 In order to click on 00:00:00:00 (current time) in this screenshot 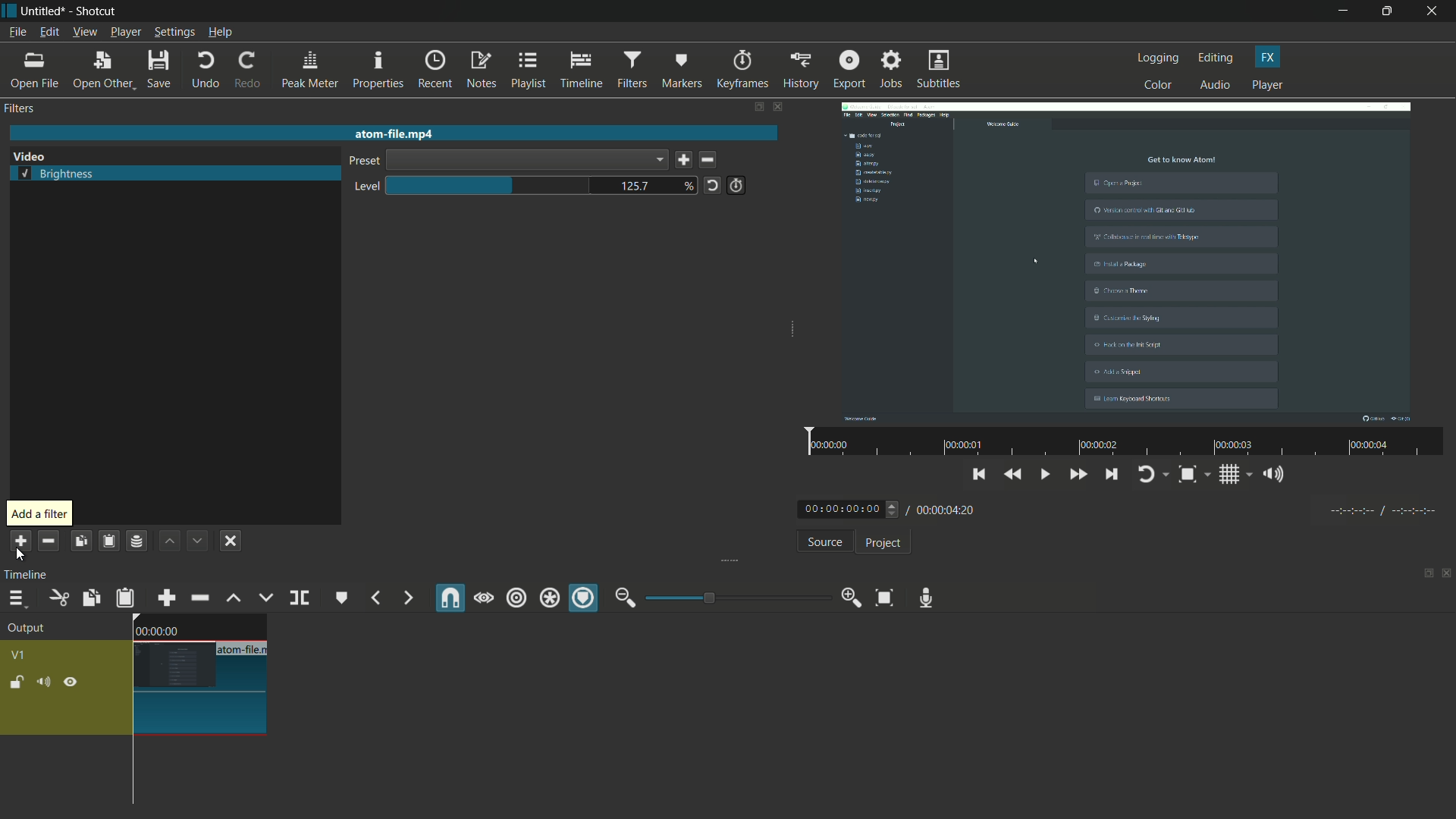, I will do `click(850, 508)`.